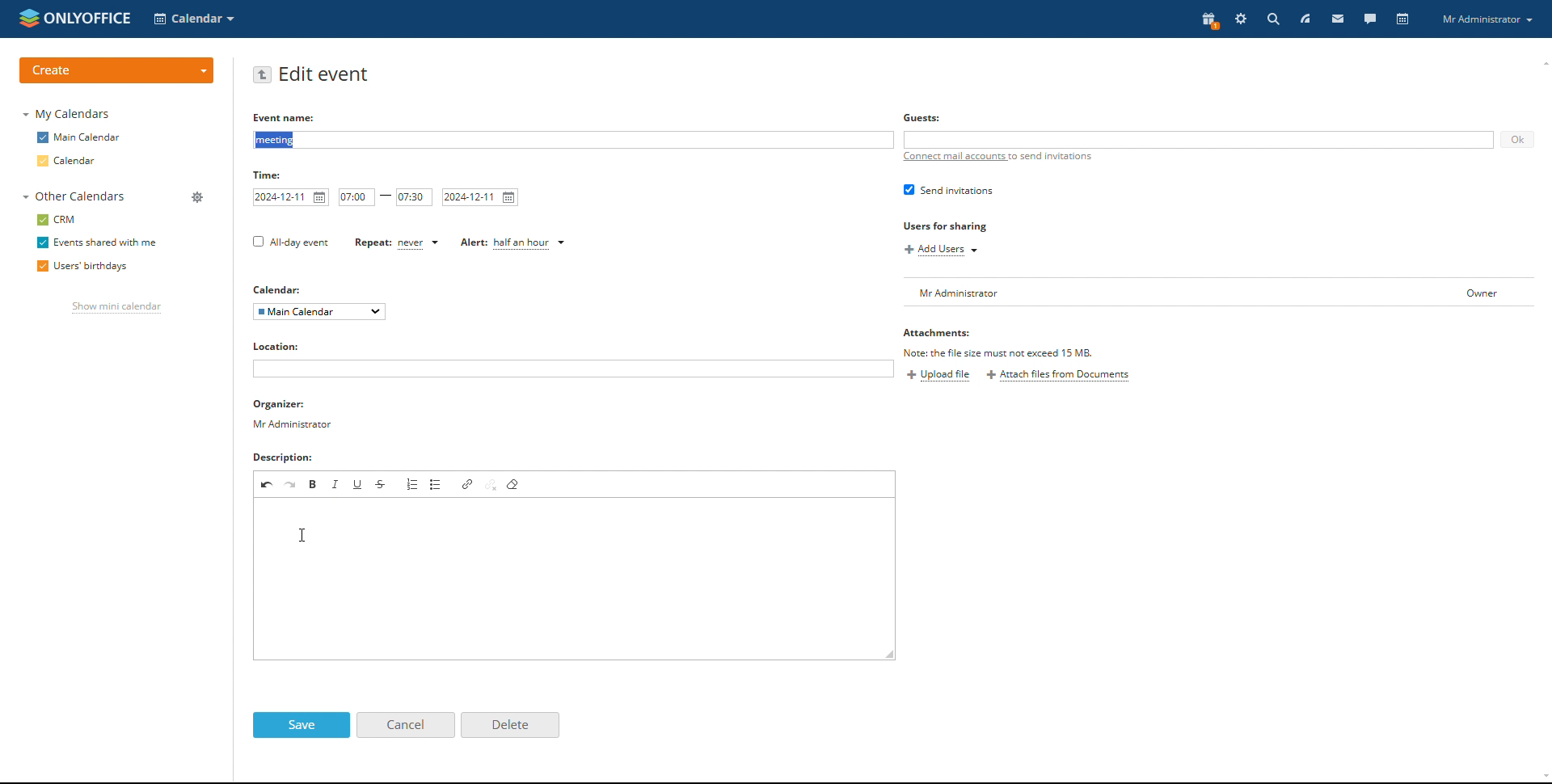  What do you see at coordinates (576, 580) in the screenshot?
I see `add description` at bounding box center [576, 580].